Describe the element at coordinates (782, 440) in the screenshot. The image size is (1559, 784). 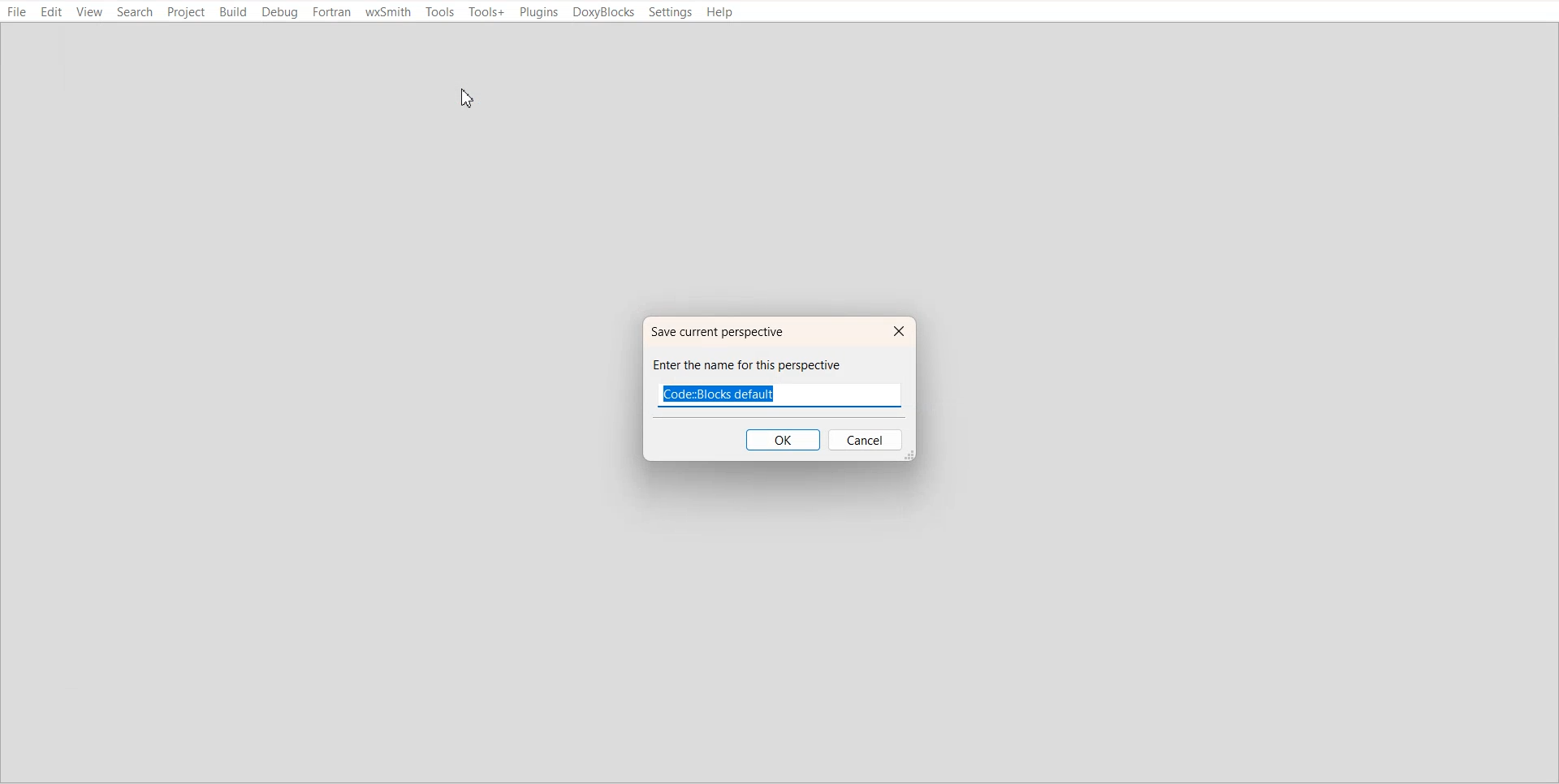
I see `OK` at that location.